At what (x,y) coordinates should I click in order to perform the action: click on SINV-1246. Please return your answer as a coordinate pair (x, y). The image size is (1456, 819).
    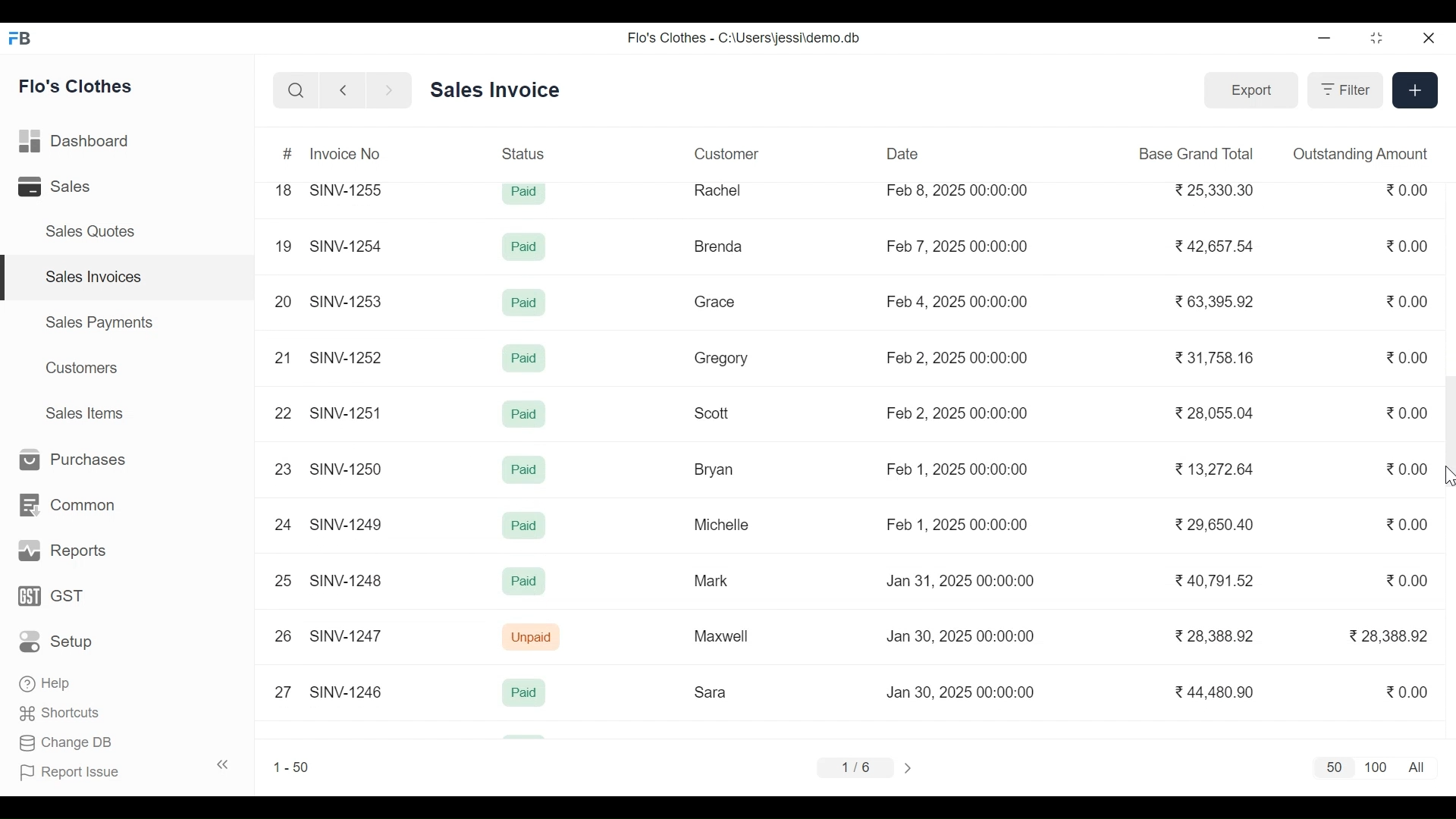
    Looking at the image, I should click on (346, 691).